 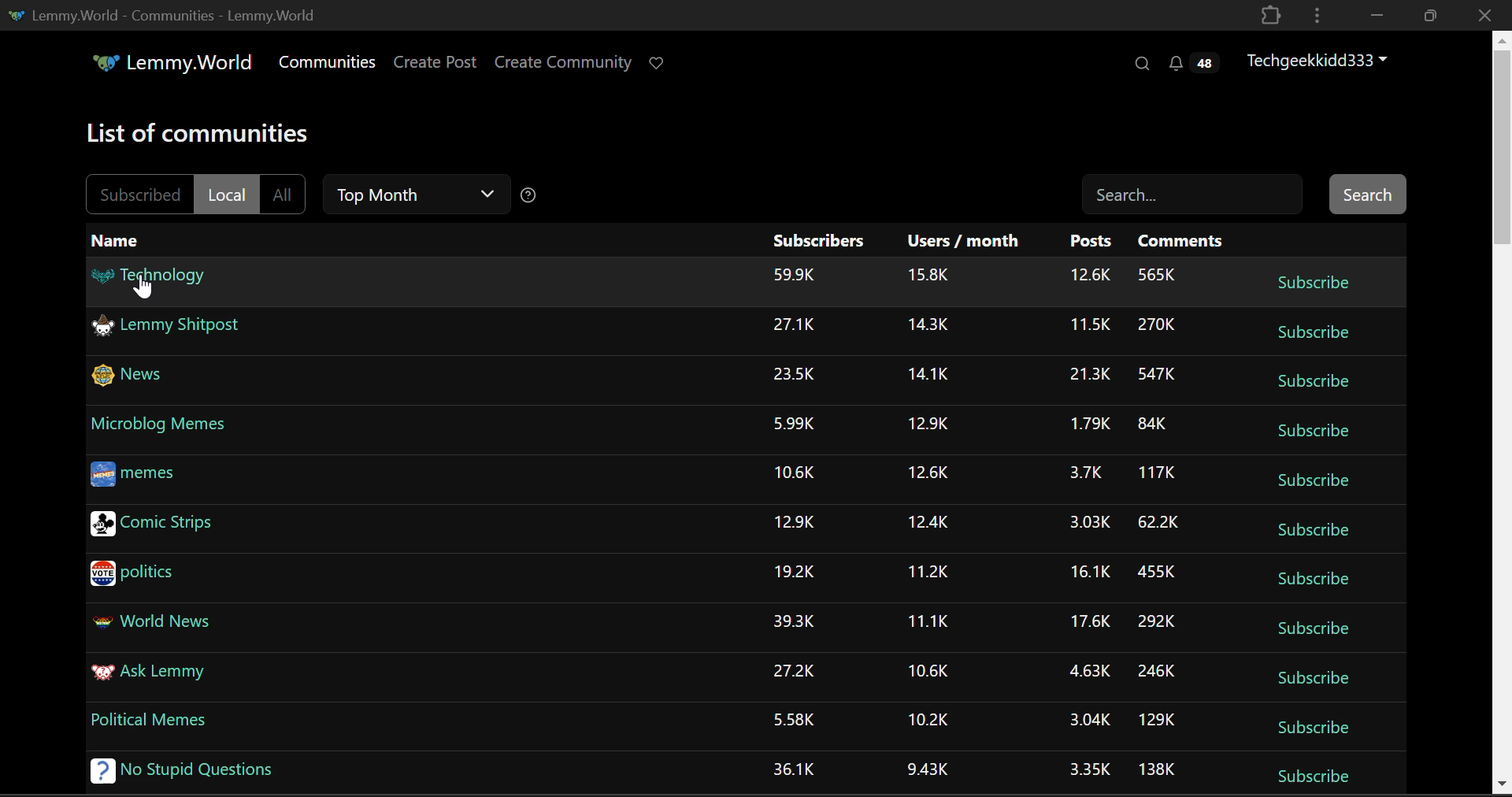 I want to click on Search, so click(x=1140, y=63).